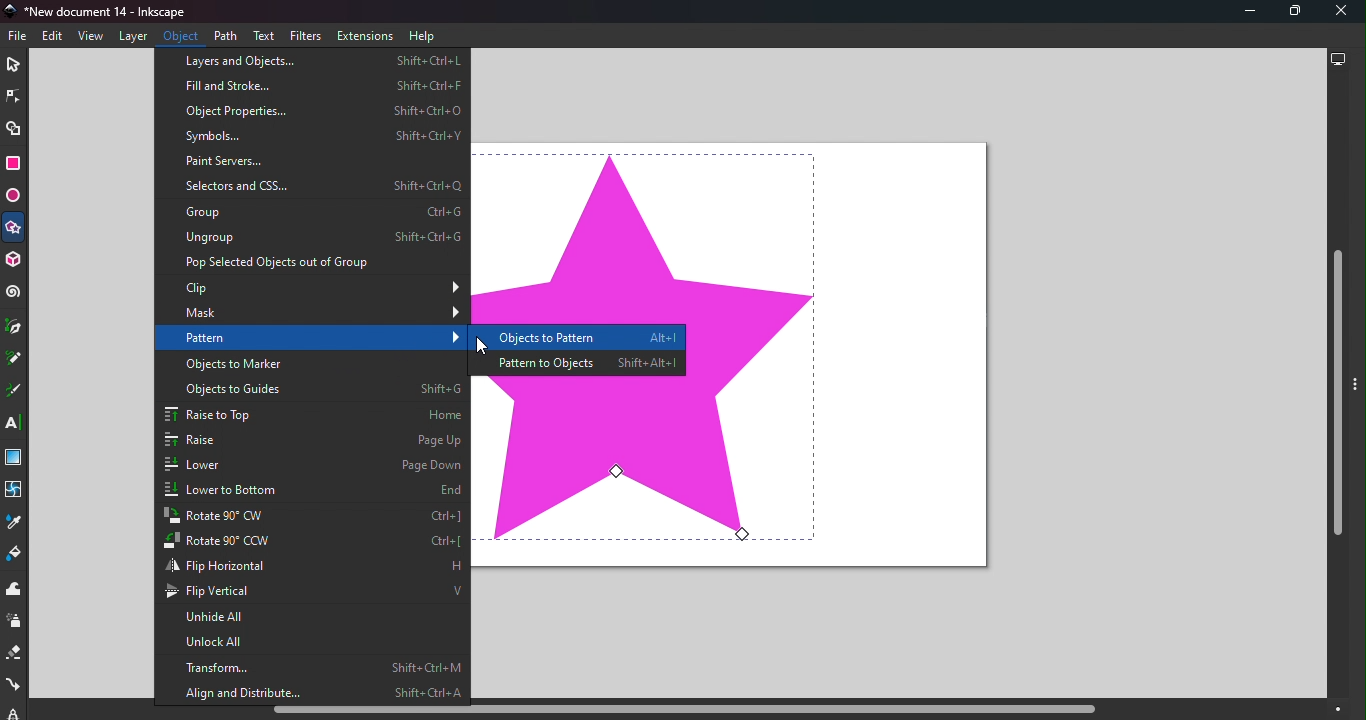  I want to click on Horizontal scroll bar, so click(676, 710).